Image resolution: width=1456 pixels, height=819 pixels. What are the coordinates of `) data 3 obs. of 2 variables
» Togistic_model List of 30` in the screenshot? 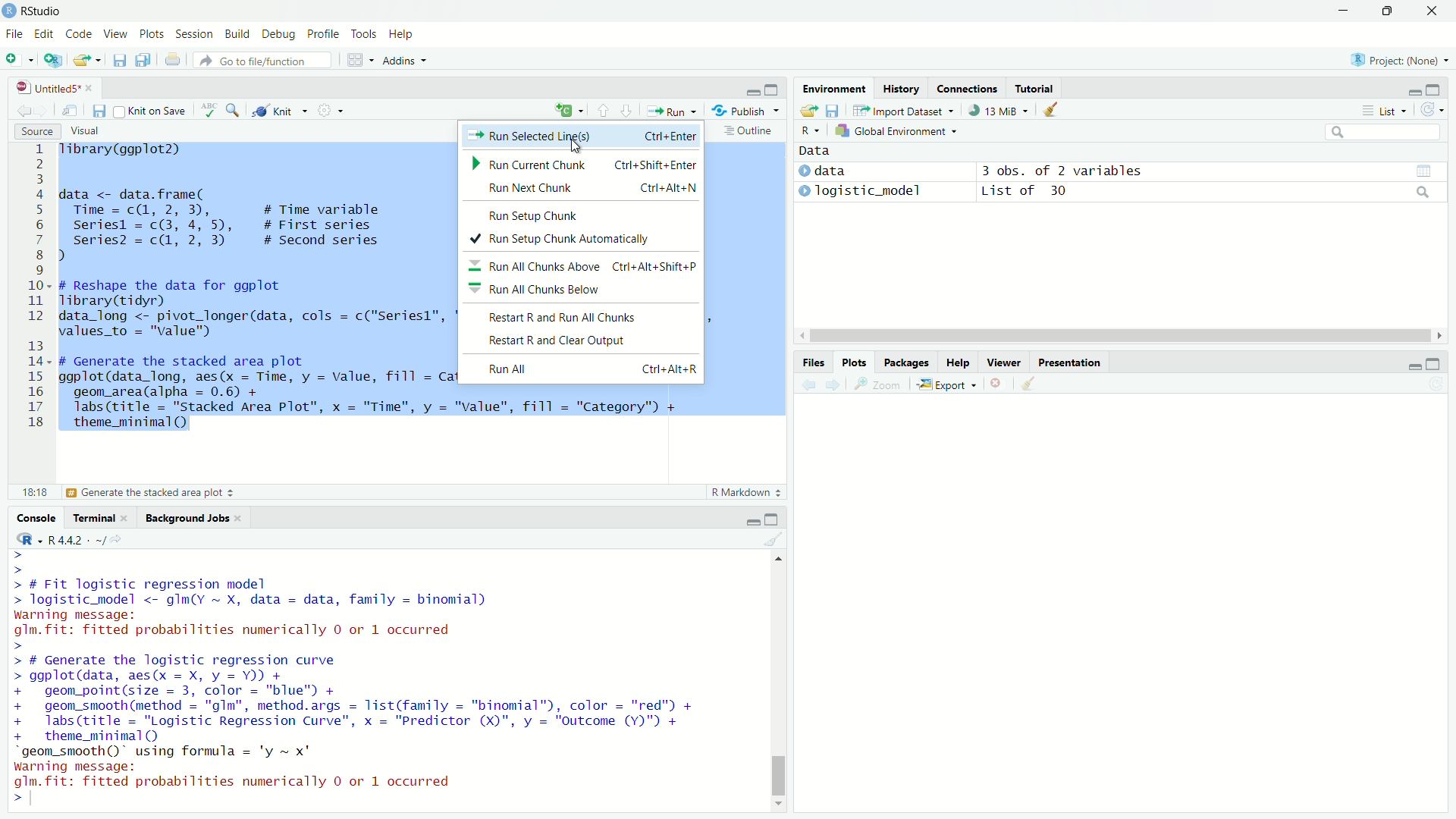 It's located at (982, 180).